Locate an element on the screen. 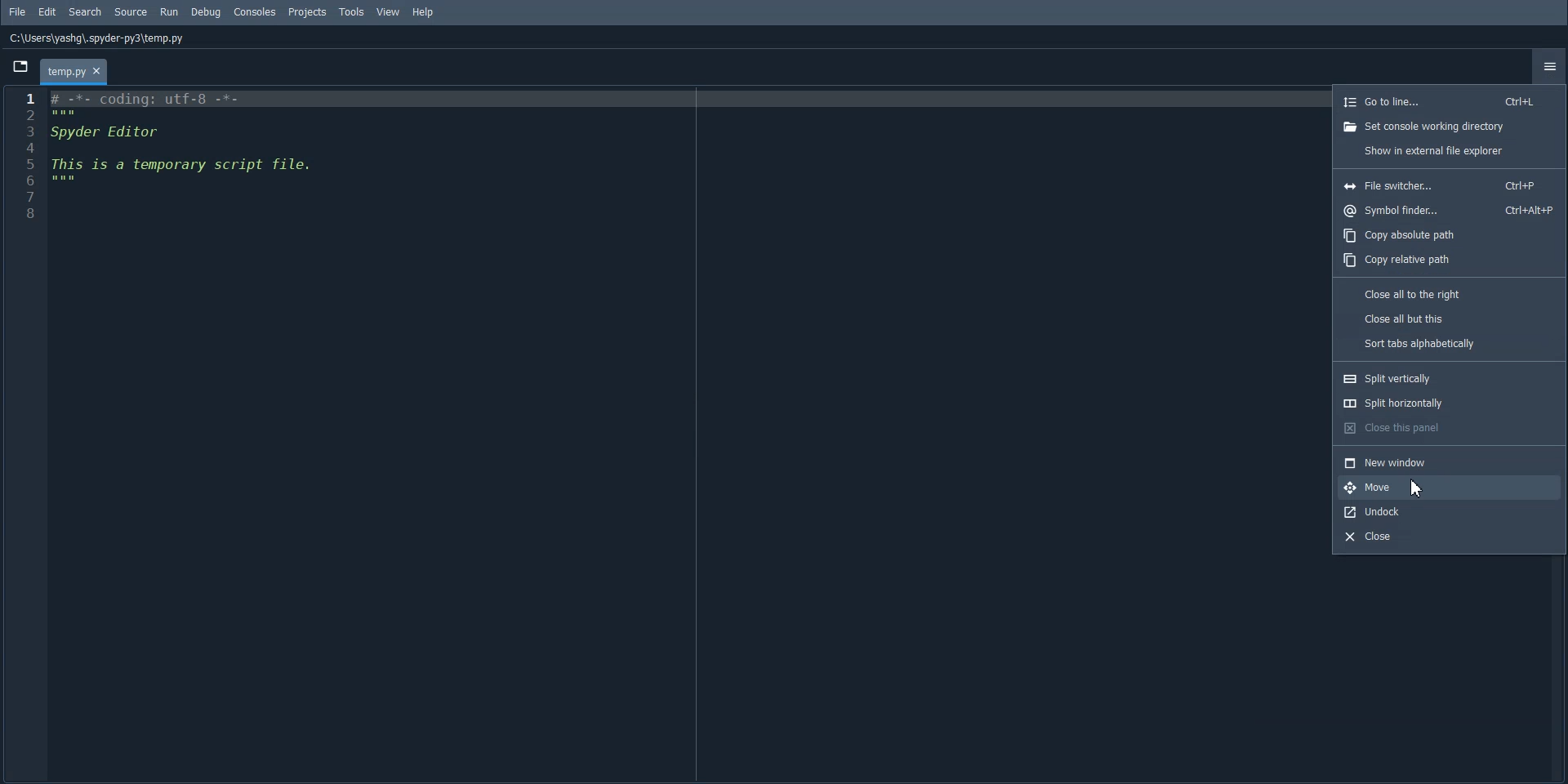  Run is located at coordinates (168, 11).